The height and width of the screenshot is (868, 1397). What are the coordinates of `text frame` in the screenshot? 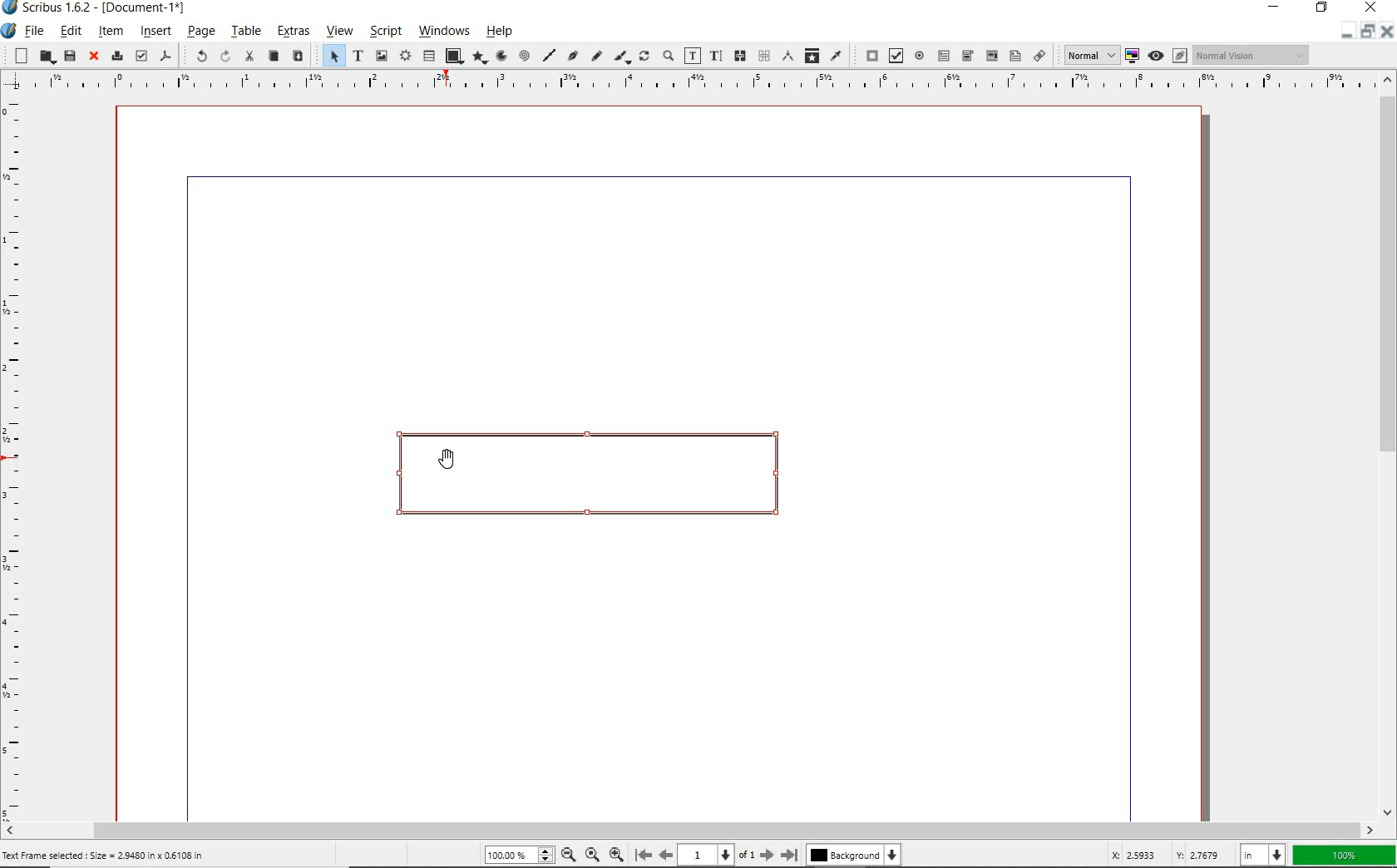 It's located at (357, 57).